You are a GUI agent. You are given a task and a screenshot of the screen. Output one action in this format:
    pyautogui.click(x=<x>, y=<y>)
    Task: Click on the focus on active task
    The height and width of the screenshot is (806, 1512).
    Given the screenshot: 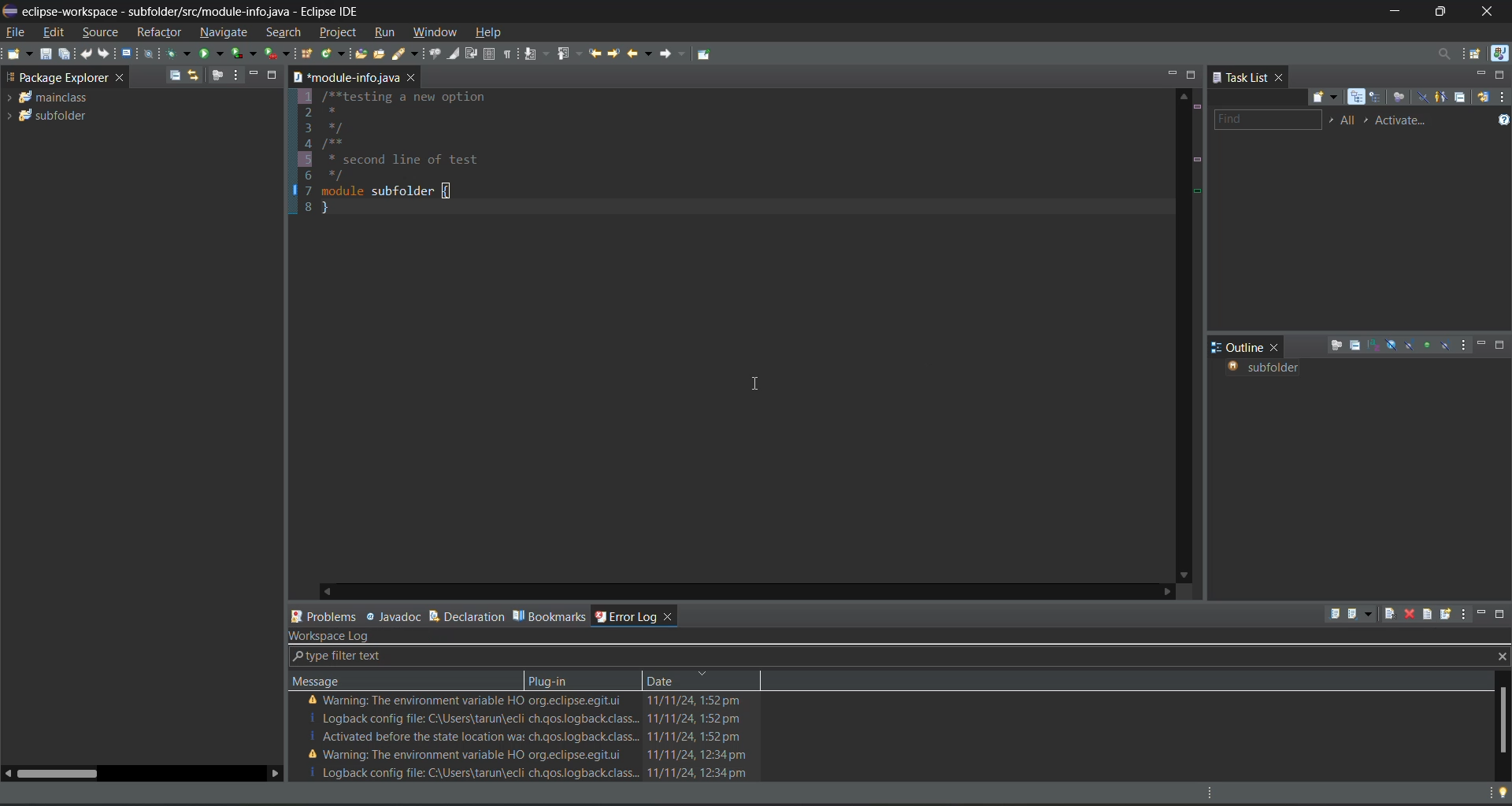 What is the action you would take?
    pyautogui.click(x=216, y=76)
    